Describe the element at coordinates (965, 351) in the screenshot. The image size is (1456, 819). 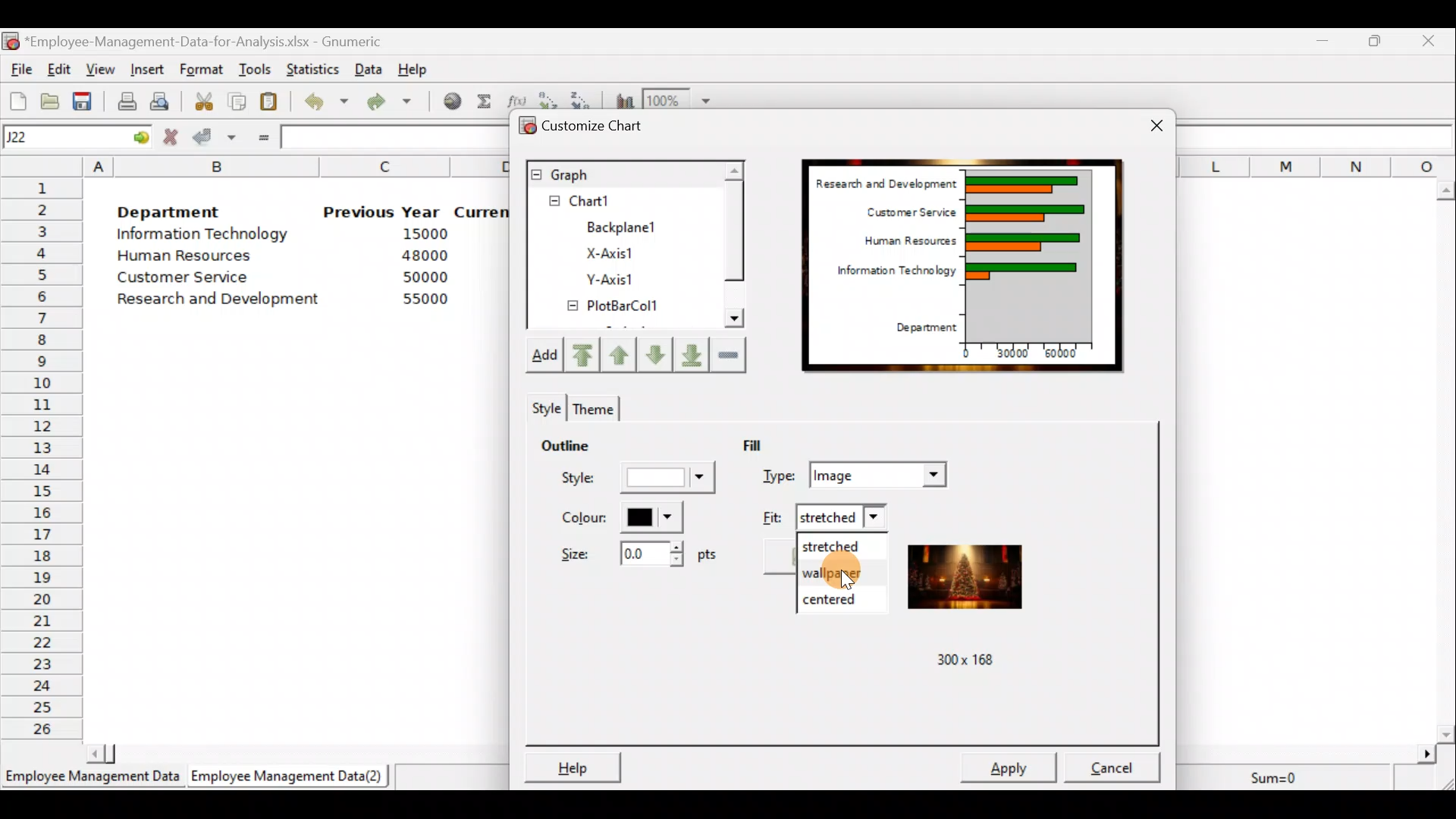
I see `0` at that location.